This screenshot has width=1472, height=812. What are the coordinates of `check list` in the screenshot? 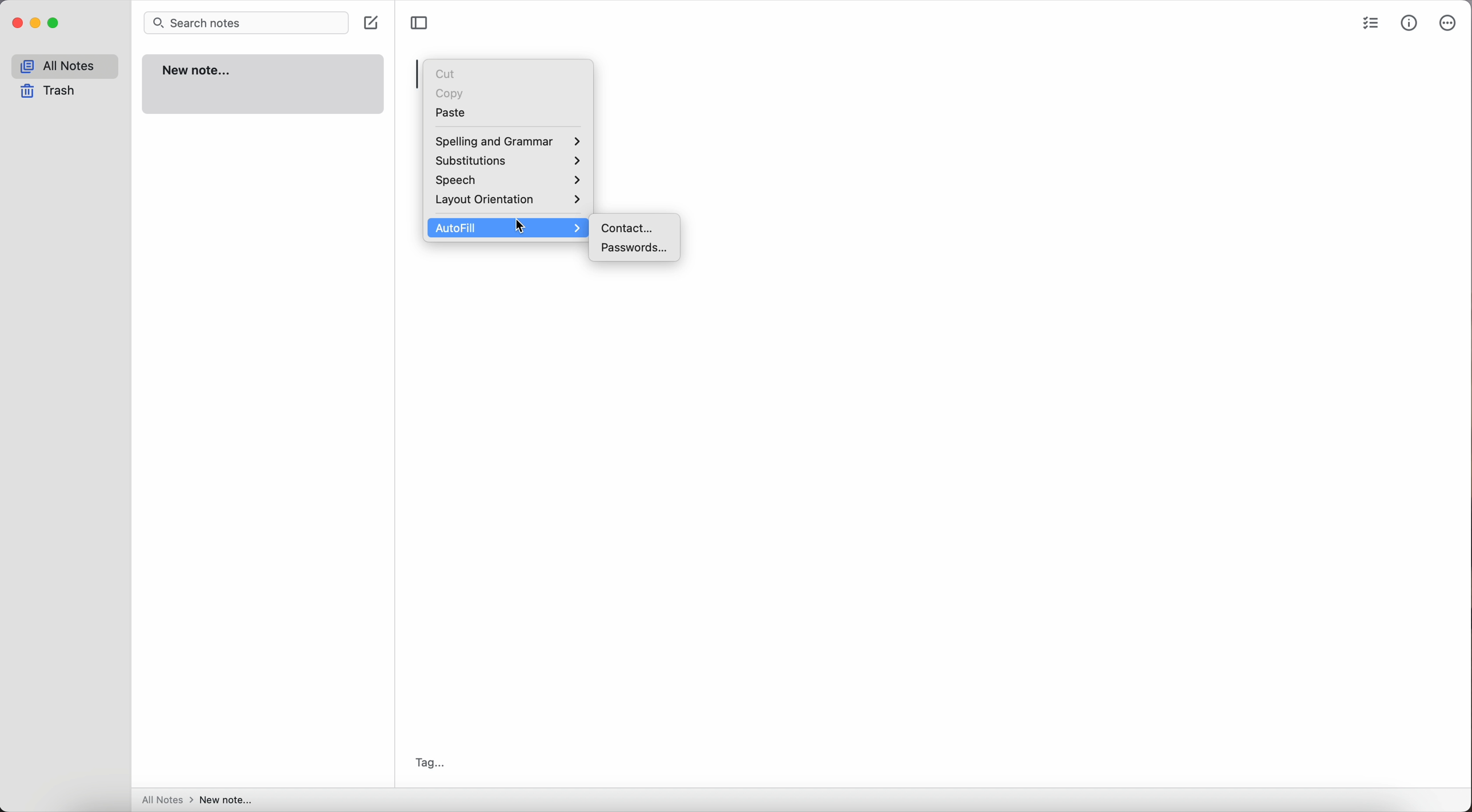 It's located at (1370, 25).